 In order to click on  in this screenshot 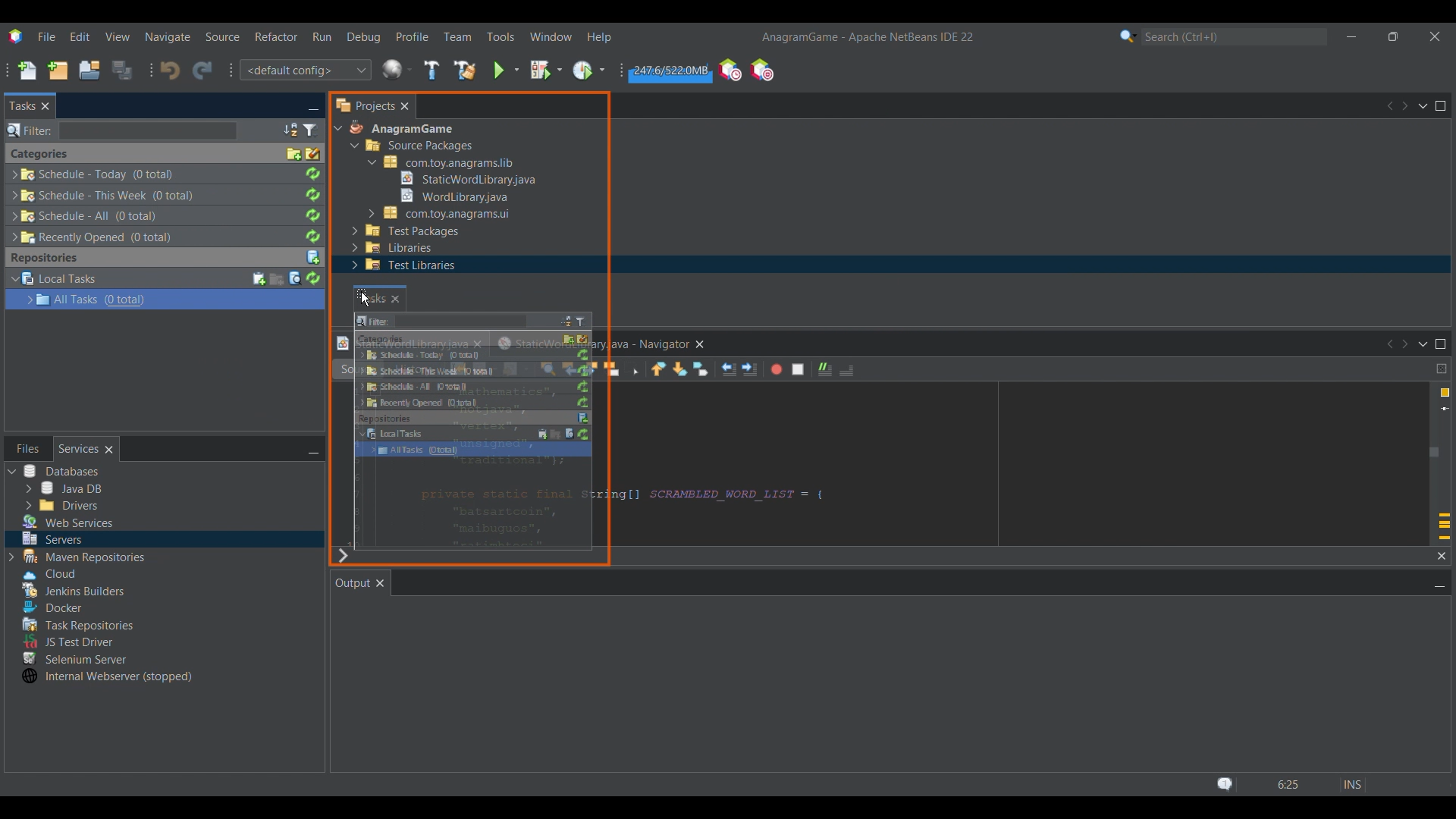, I will do `click(465, 318)`.